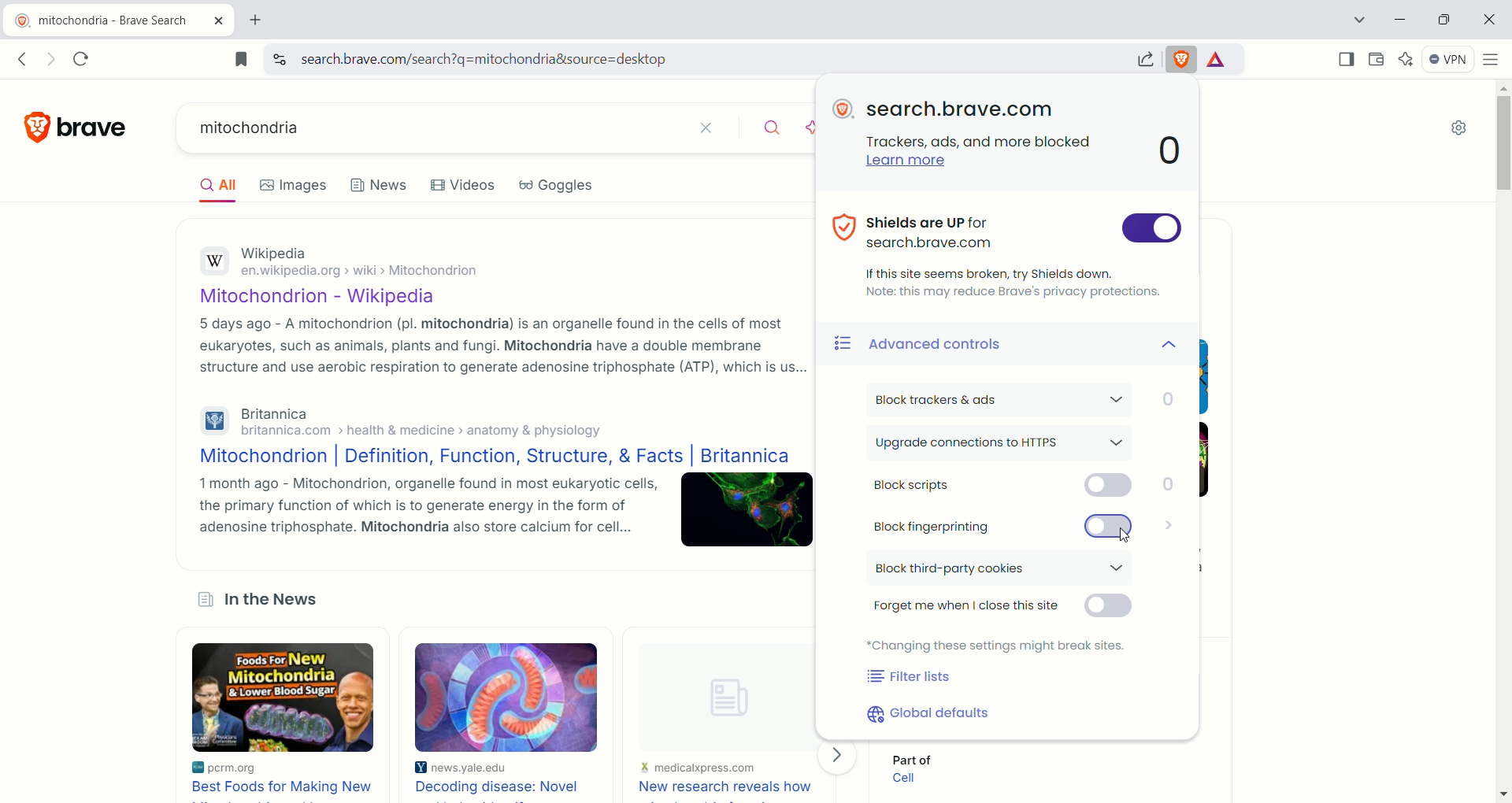 This screenshot has height=803, width=1512. I want to click on current search, so click(431, 128).